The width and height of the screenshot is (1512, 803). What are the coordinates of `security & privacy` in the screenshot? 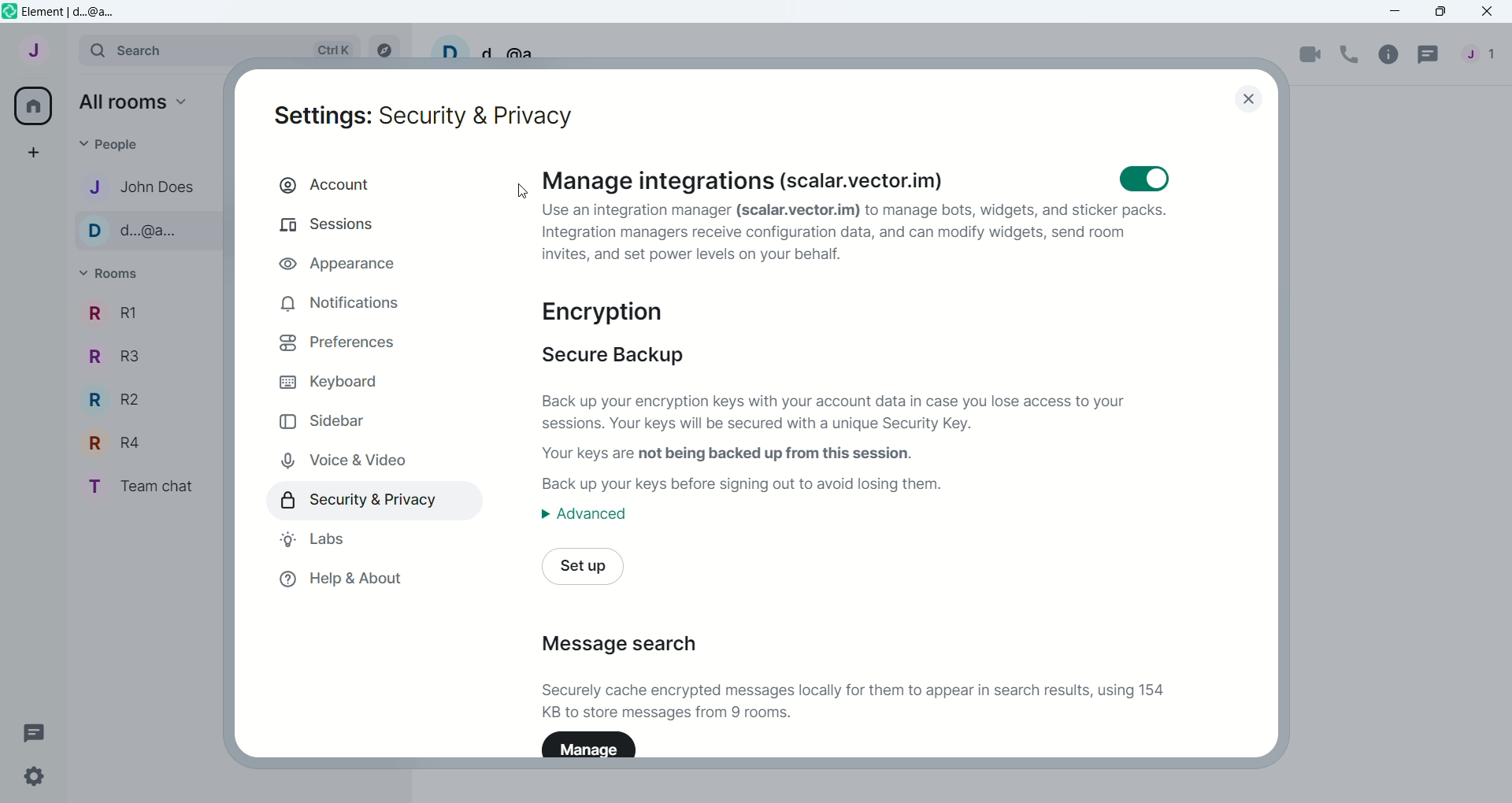 It's located at (374, 500).